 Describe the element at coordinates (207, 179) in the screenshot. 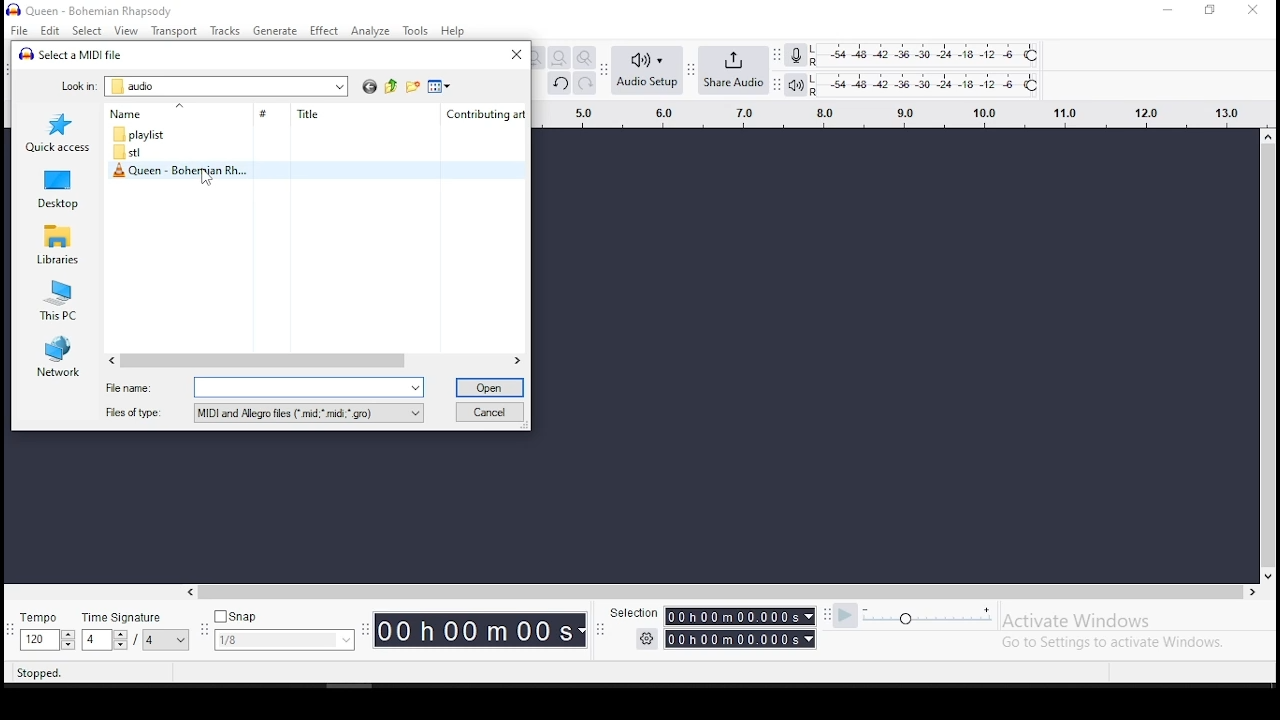

I see `cursor` at that location.